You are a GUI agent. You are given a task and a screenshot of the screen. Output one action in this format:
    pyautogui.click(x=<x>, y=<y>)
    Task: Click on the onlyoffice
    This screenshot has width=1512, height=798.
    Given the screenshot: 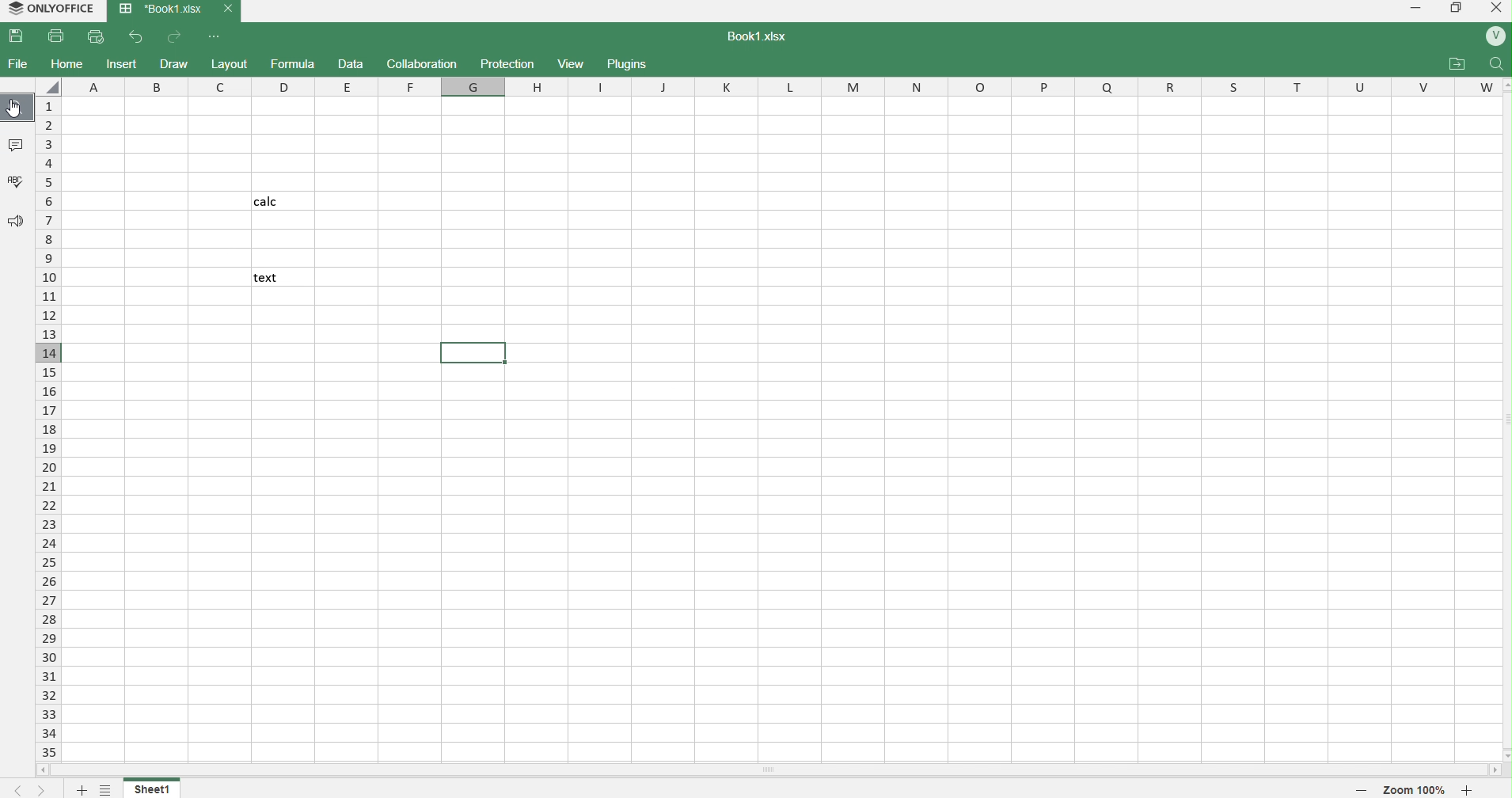 What is the action you would take?
    pyautogui.click(x=48, y=9)
    